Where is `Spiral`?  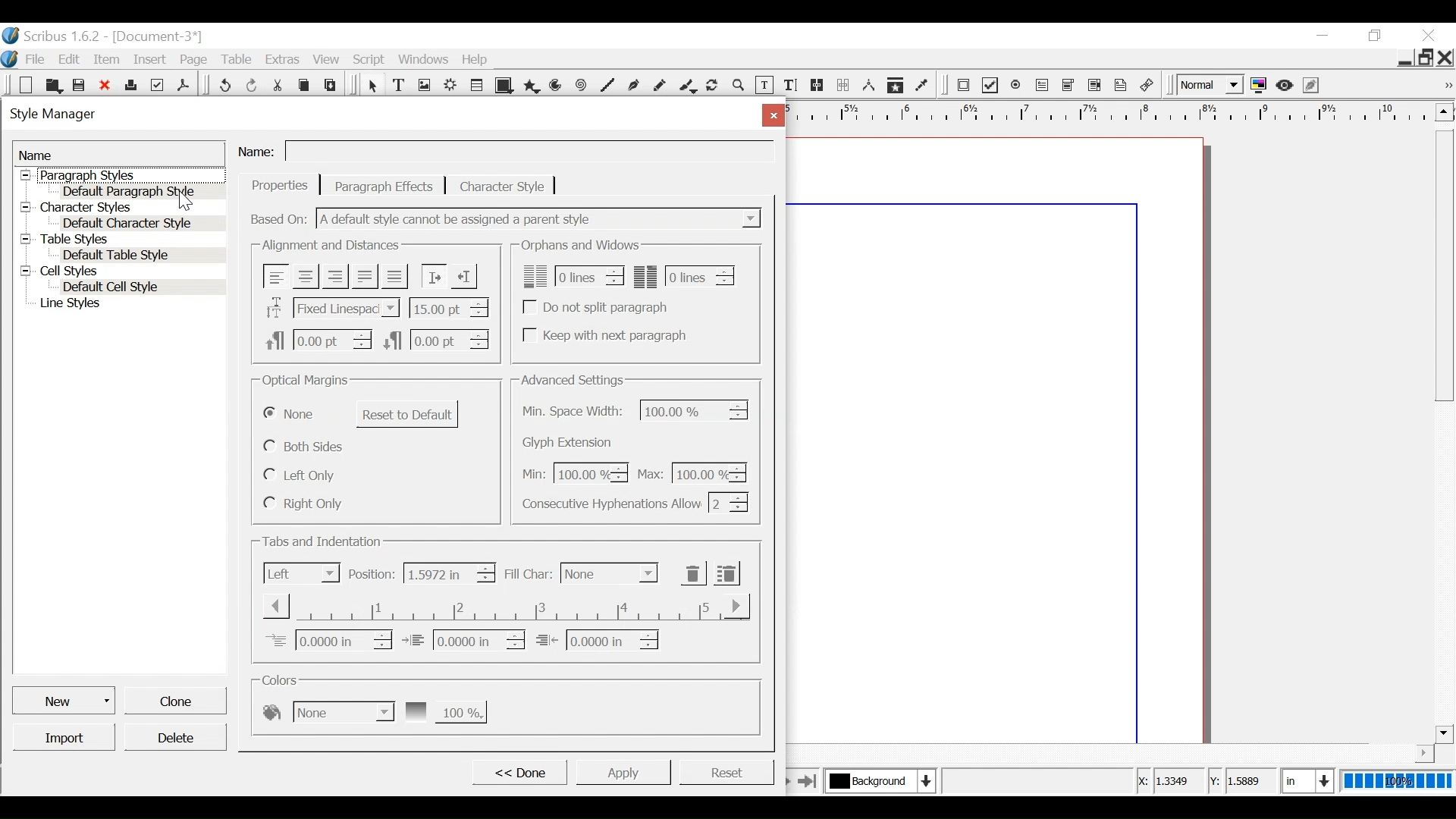 Spiral is located at coordinates (582, 86).